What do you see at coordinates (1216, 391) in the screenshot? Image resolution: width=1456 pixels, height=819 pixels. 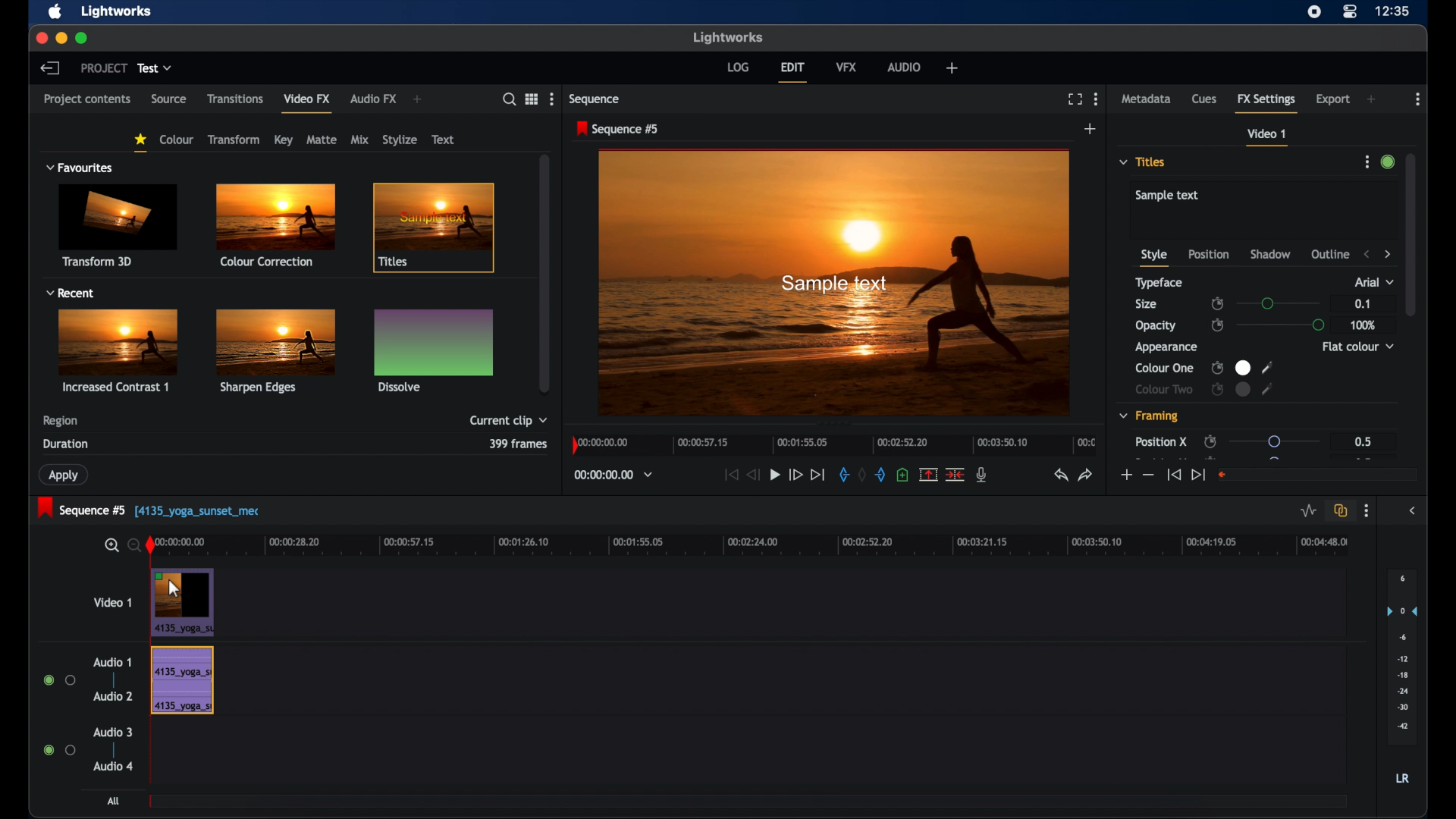 I see `enable/disable` at bounding box center [1216, 391].